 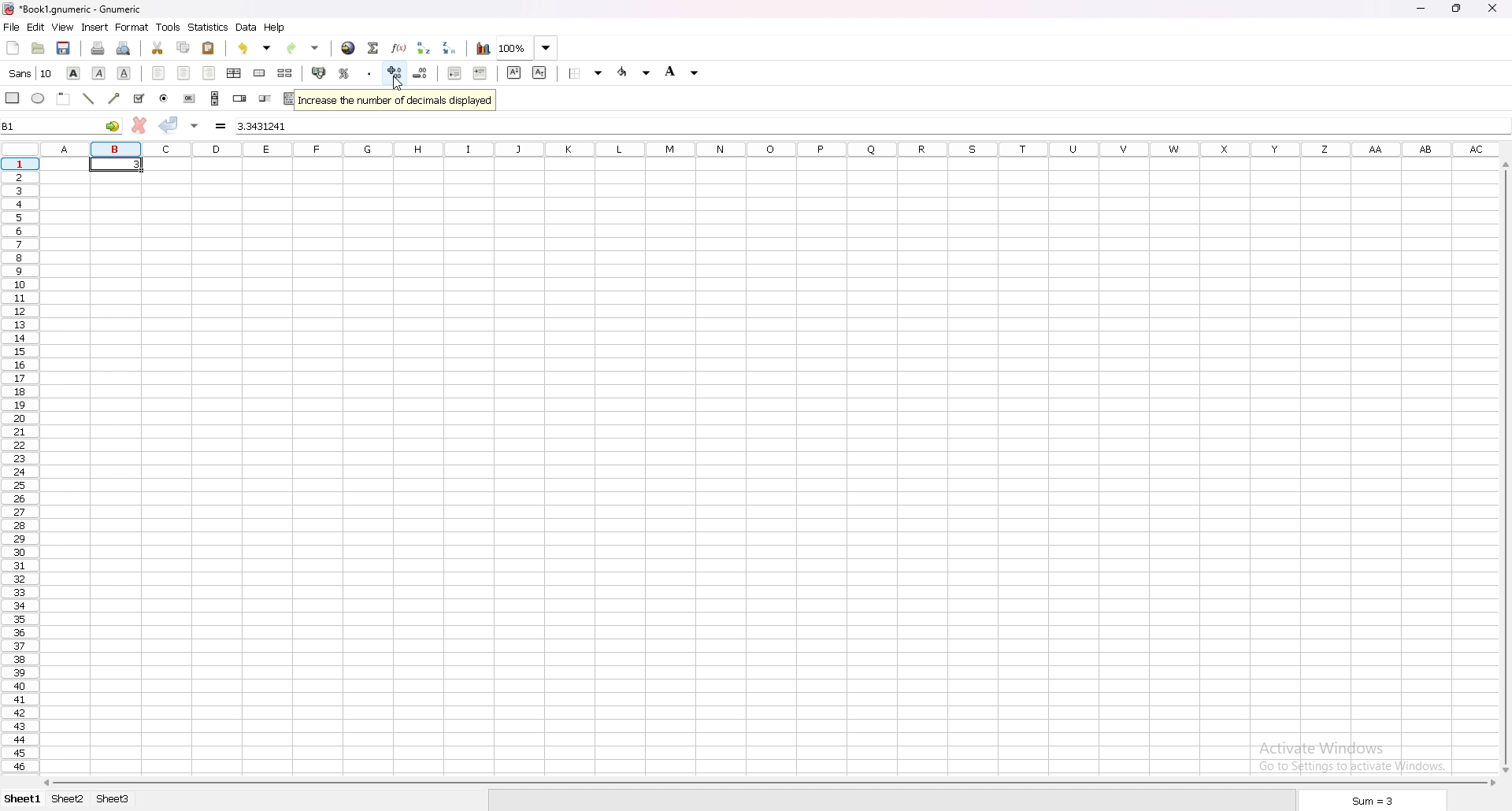 What do you see at coordinates (276, 28) in the screenshot?
I see `help` at bounding box center [276, 28].